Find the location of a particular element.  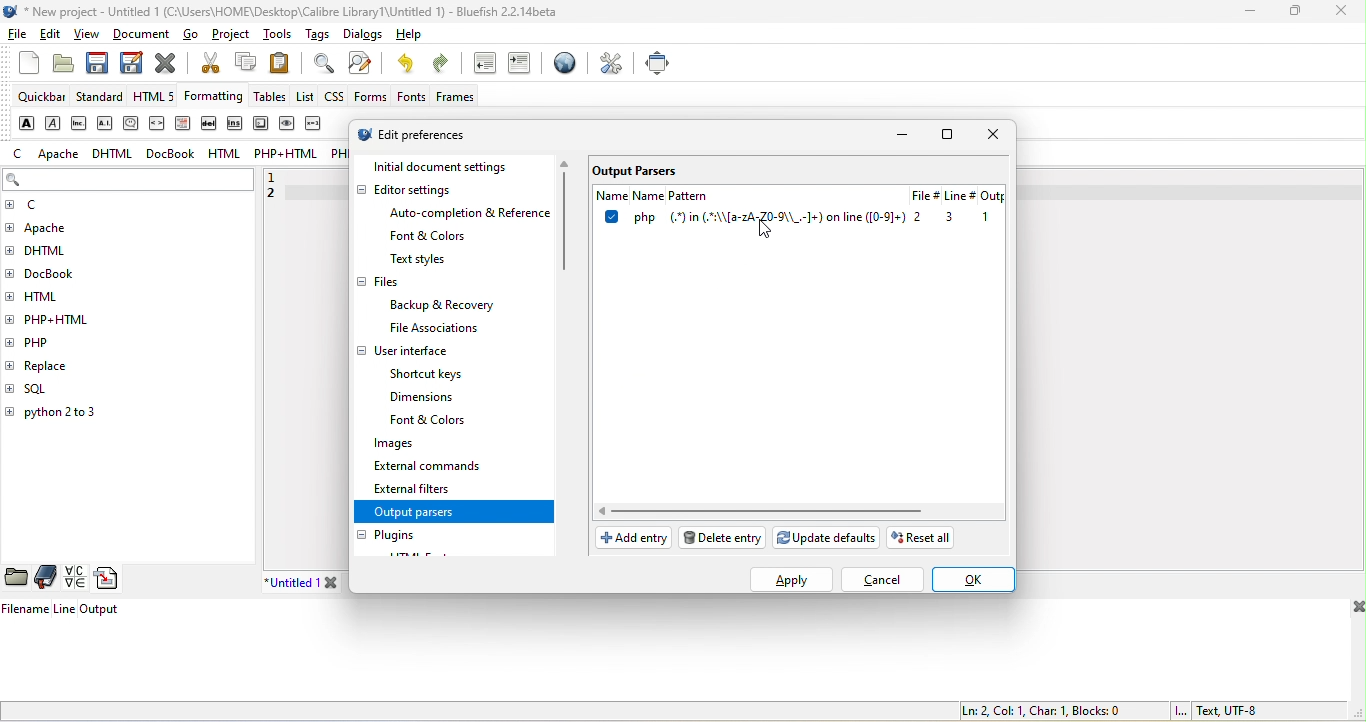

minimize is located at coordinates (904, 136).